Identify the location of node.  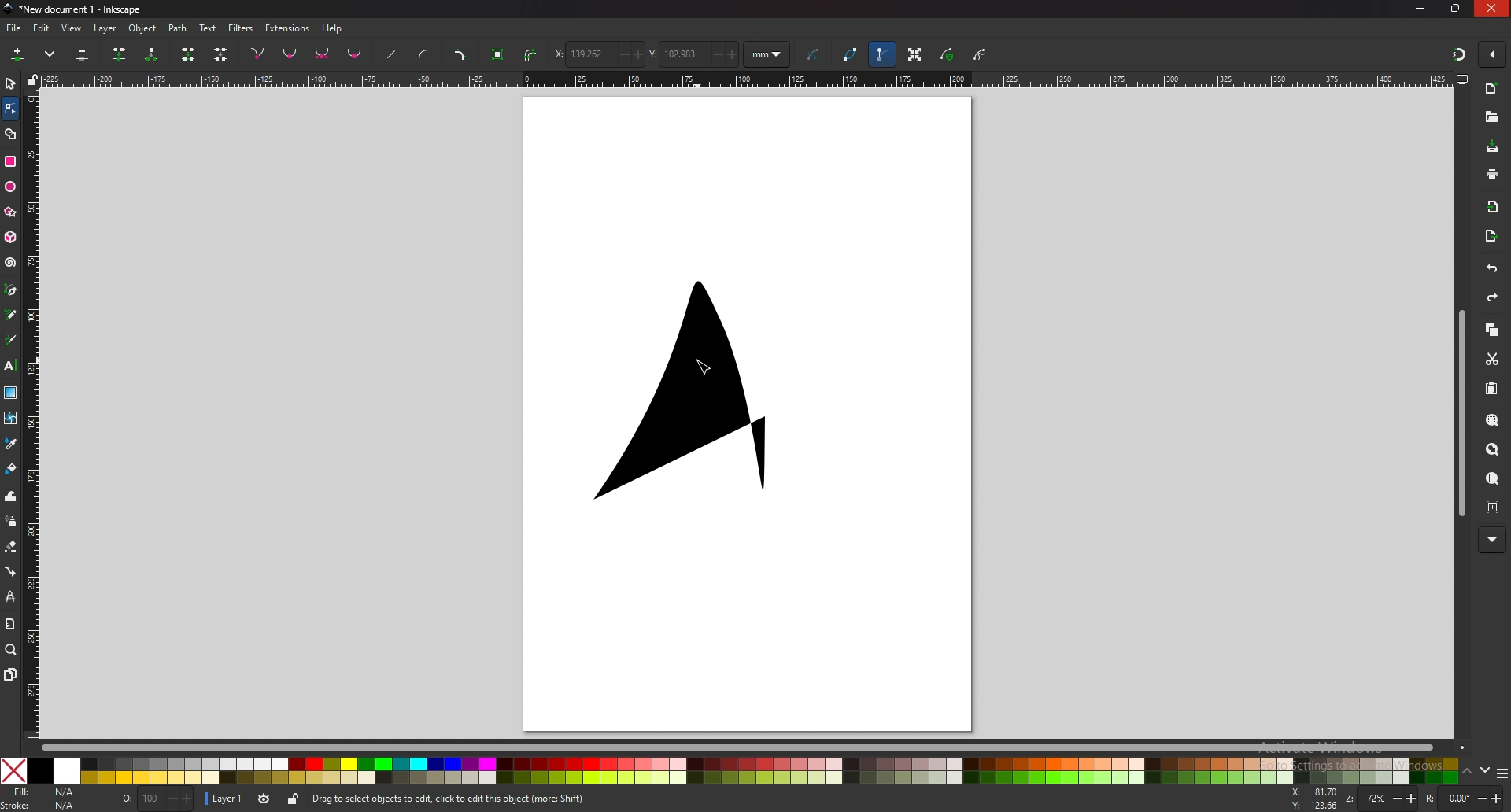
(9, 108).